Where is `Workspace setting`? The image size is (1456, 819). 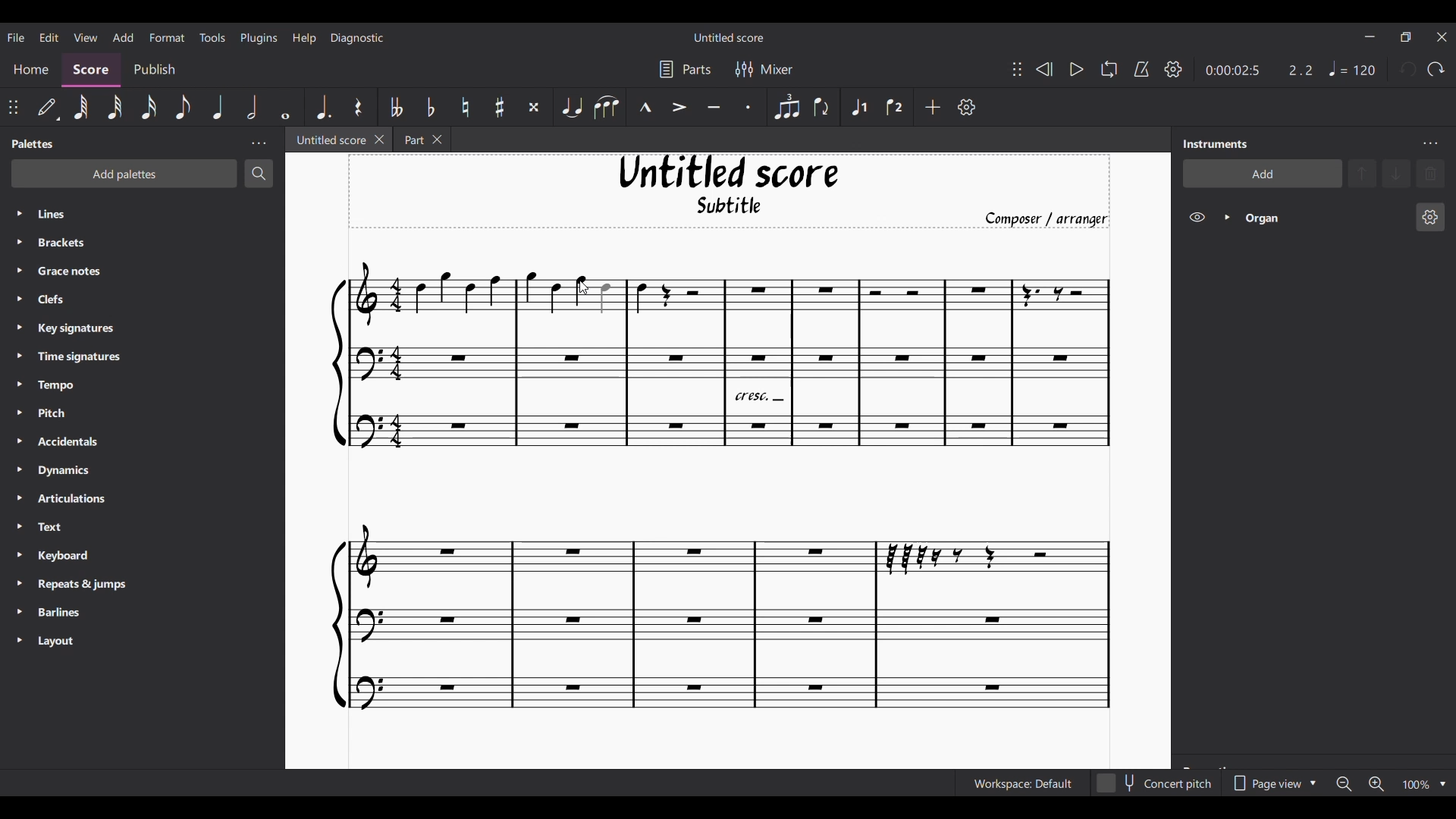
Workspace setting is located at coordinates (1022, 783).